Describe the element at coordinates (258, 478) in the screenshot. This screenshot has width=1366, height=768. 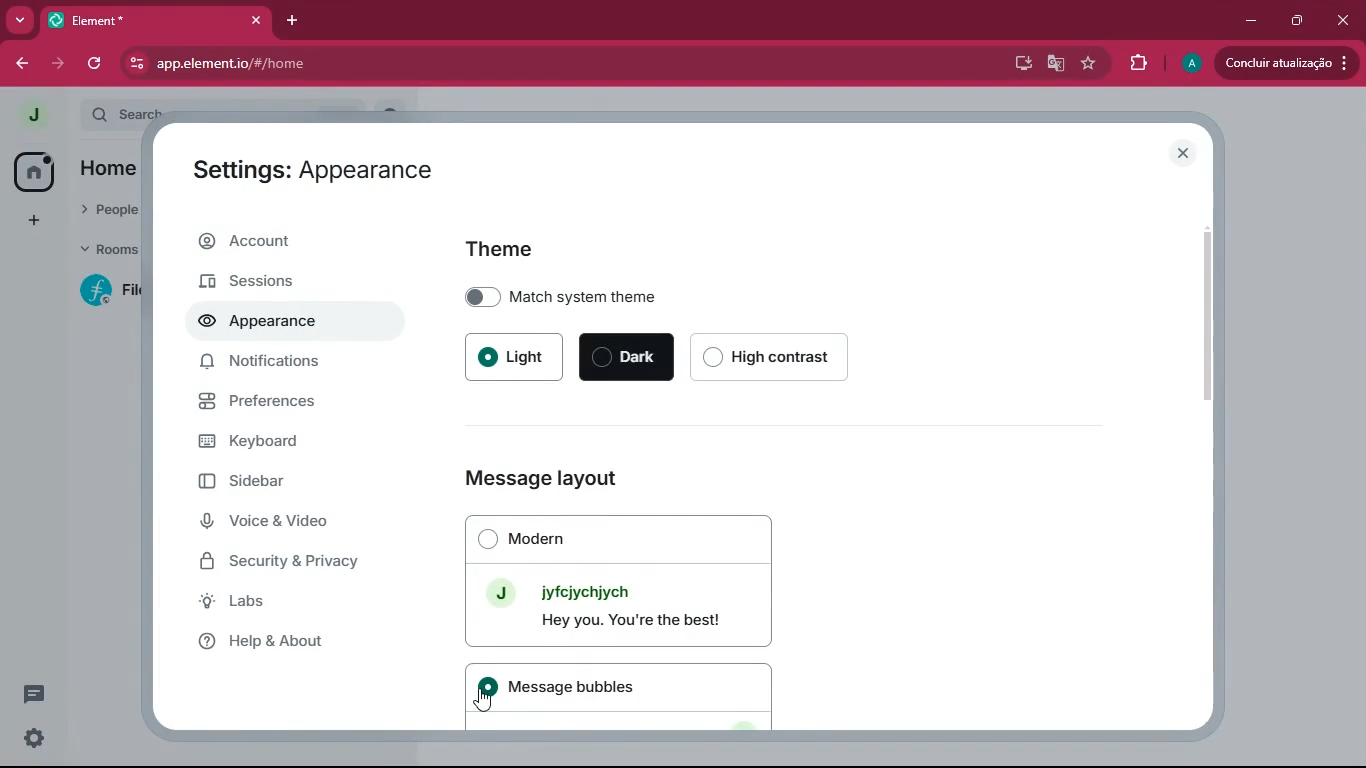
I see `Sidebar` at that location.